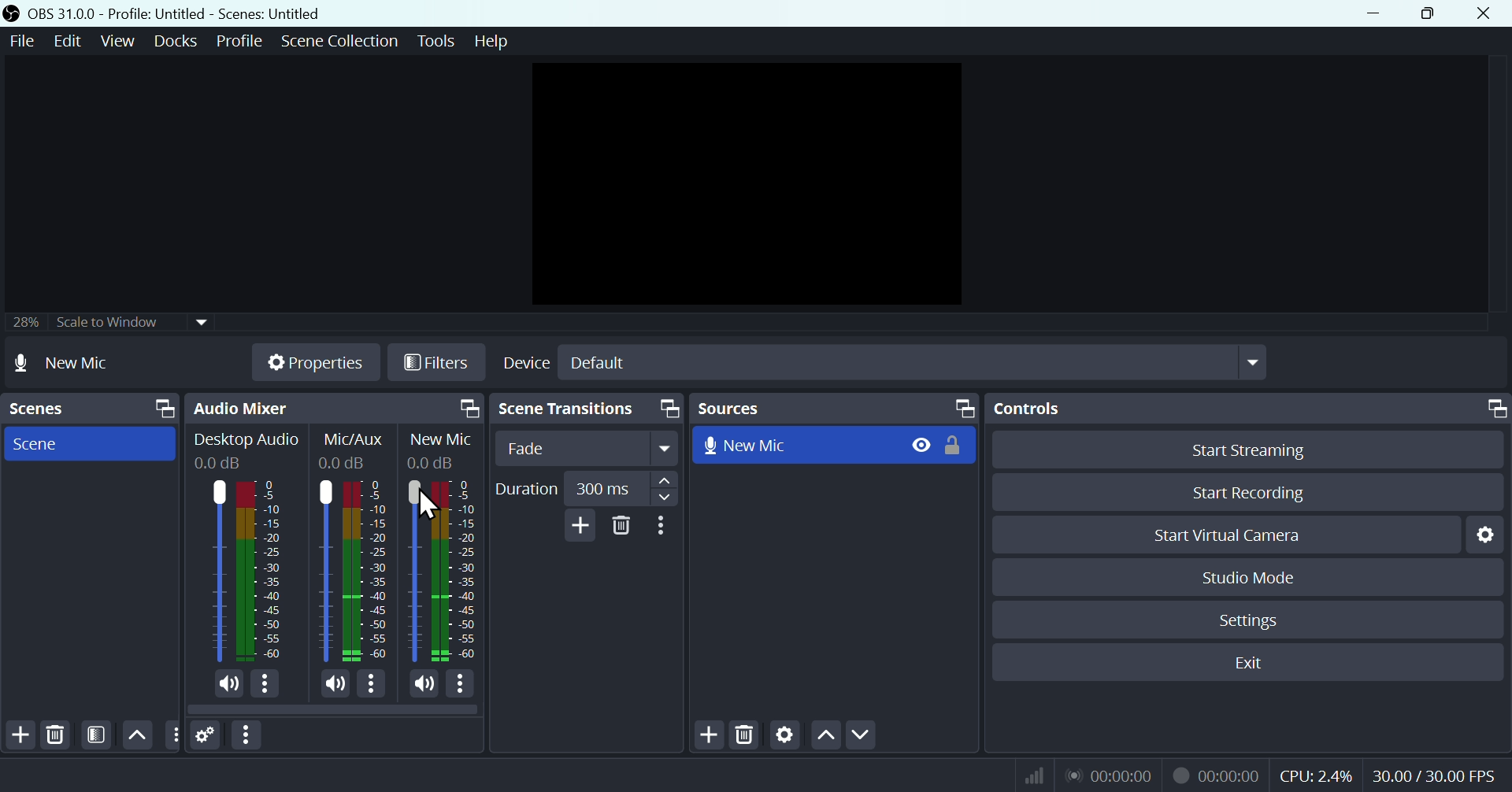 Image resolution: width=1512 pixels, height=792 pixels. What do you see at coordinates (584, 489) in the screenshot?
I see `Duration` at bounding box center [584, 489].